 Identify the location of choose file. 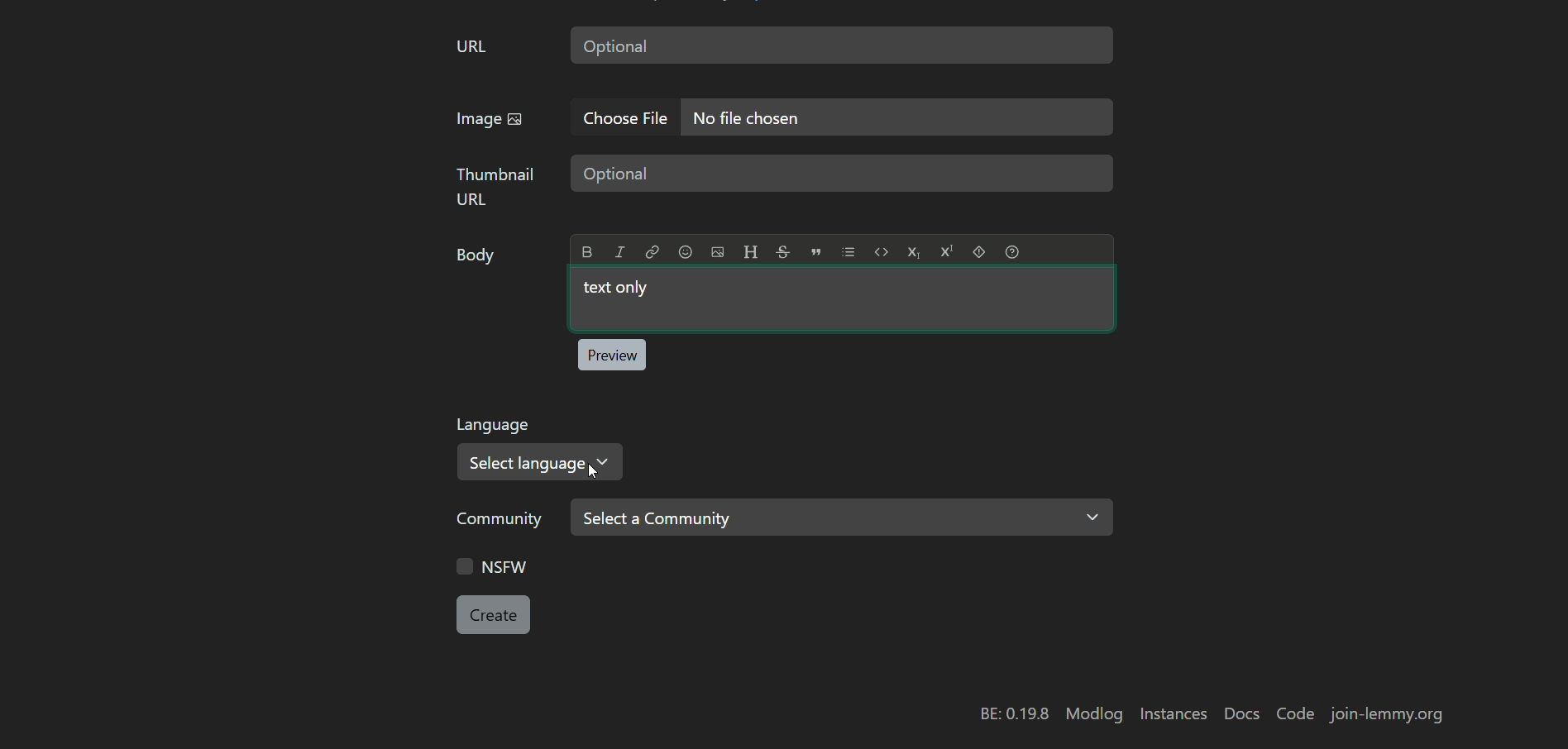
(629, 117).